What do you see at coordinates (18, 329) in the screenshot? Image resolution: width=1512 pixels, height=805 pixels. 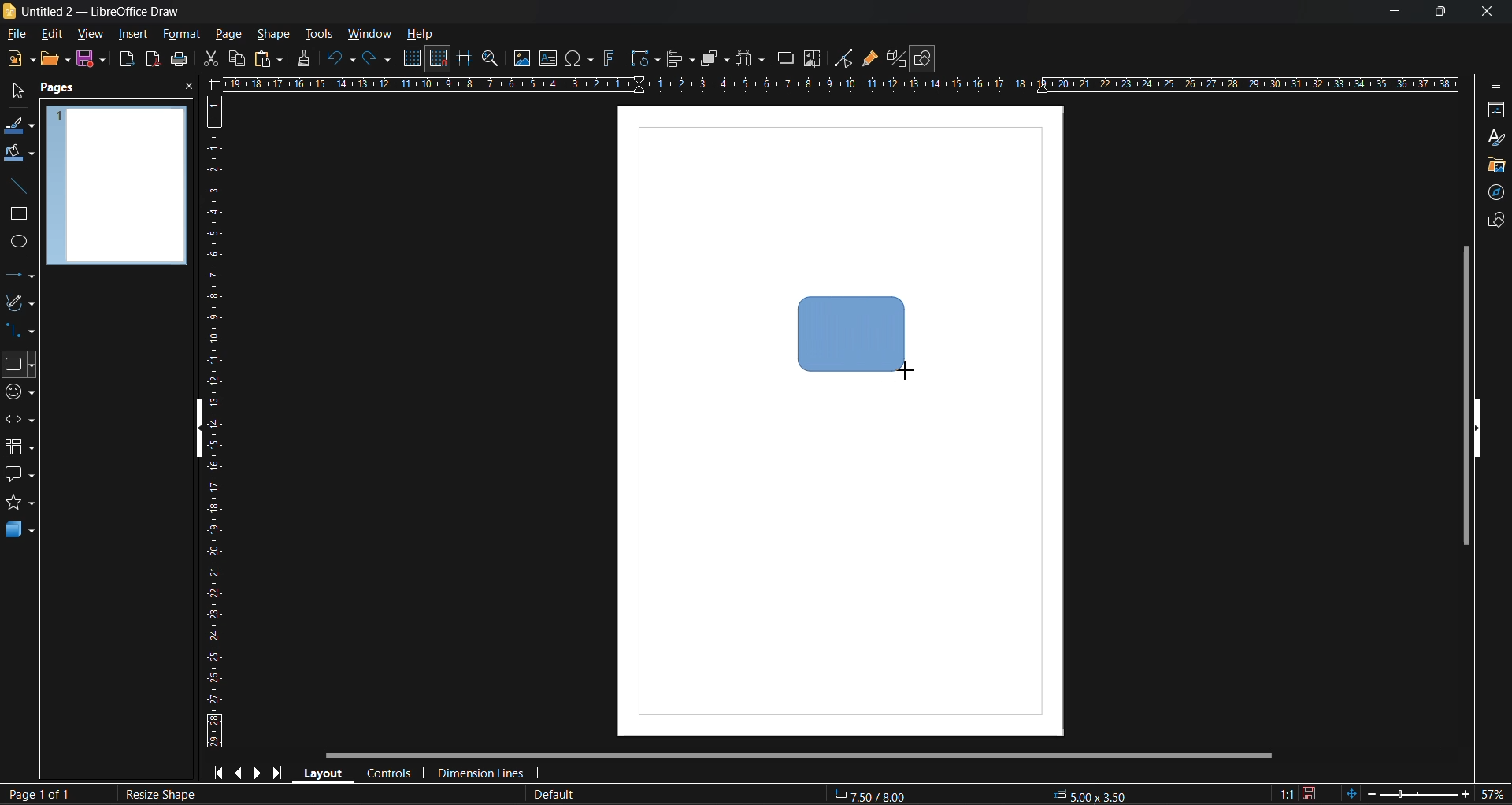 I see `connectors` at bounding box center [18, 329].